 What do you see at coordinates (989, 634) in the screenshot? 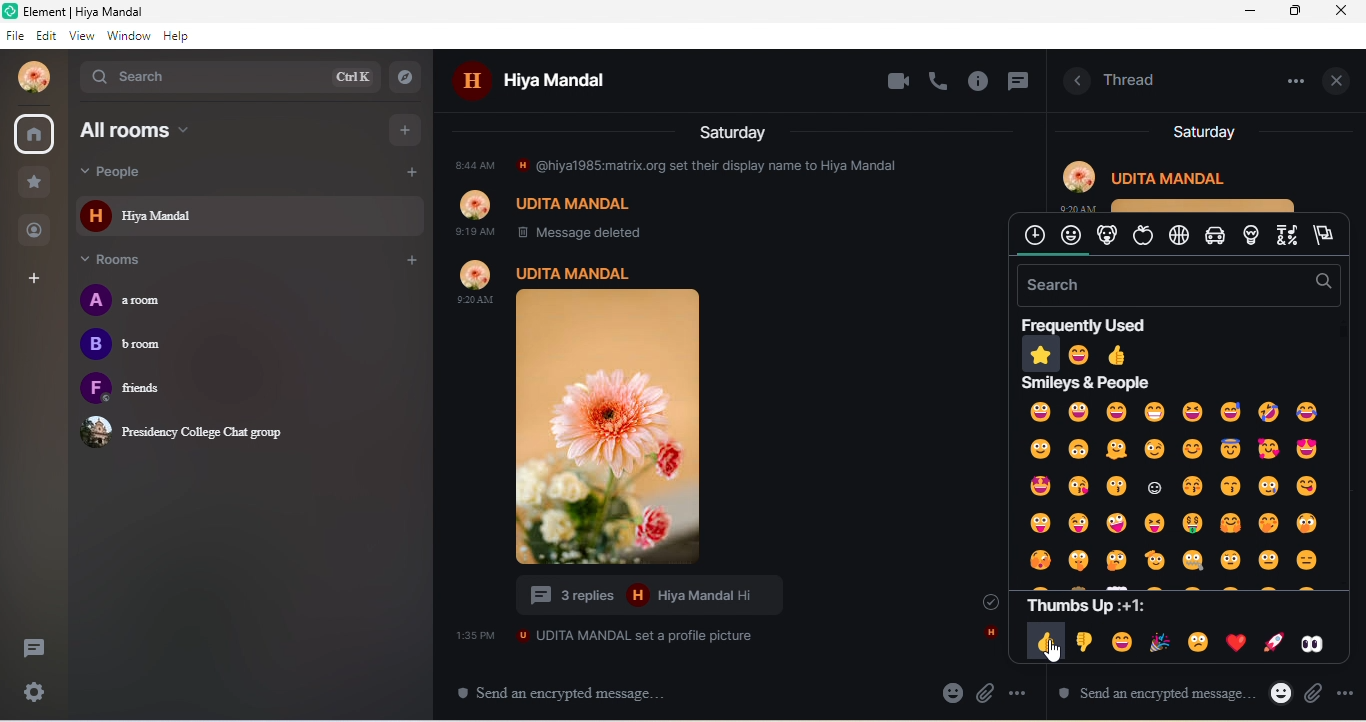
I see `h` at bounding box center [989, 634].